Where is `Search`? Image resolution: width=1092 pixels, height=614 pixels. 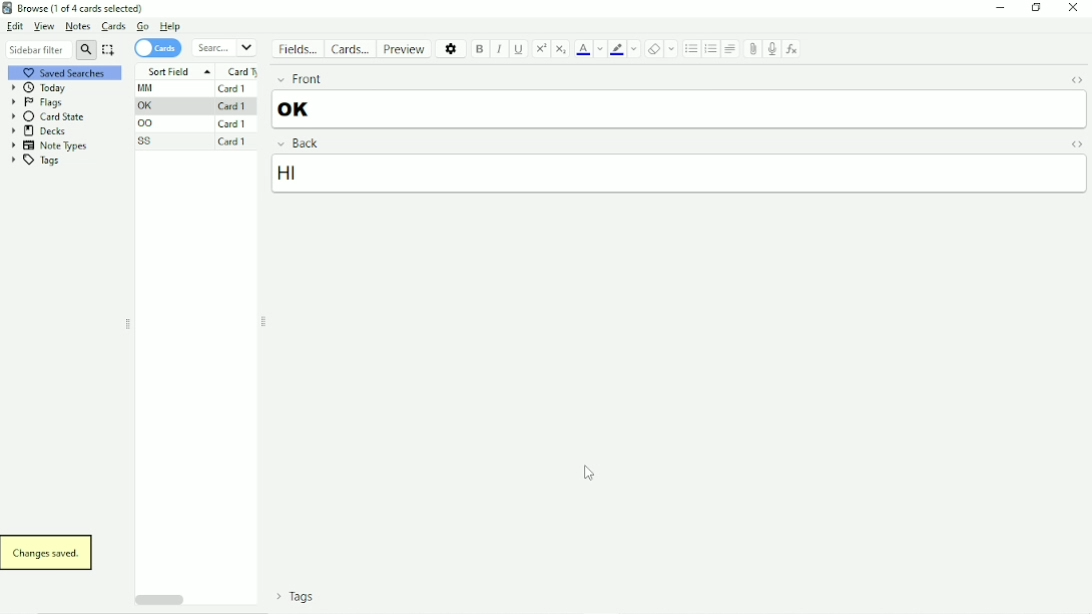 Search is located at coordinates (225, 47).